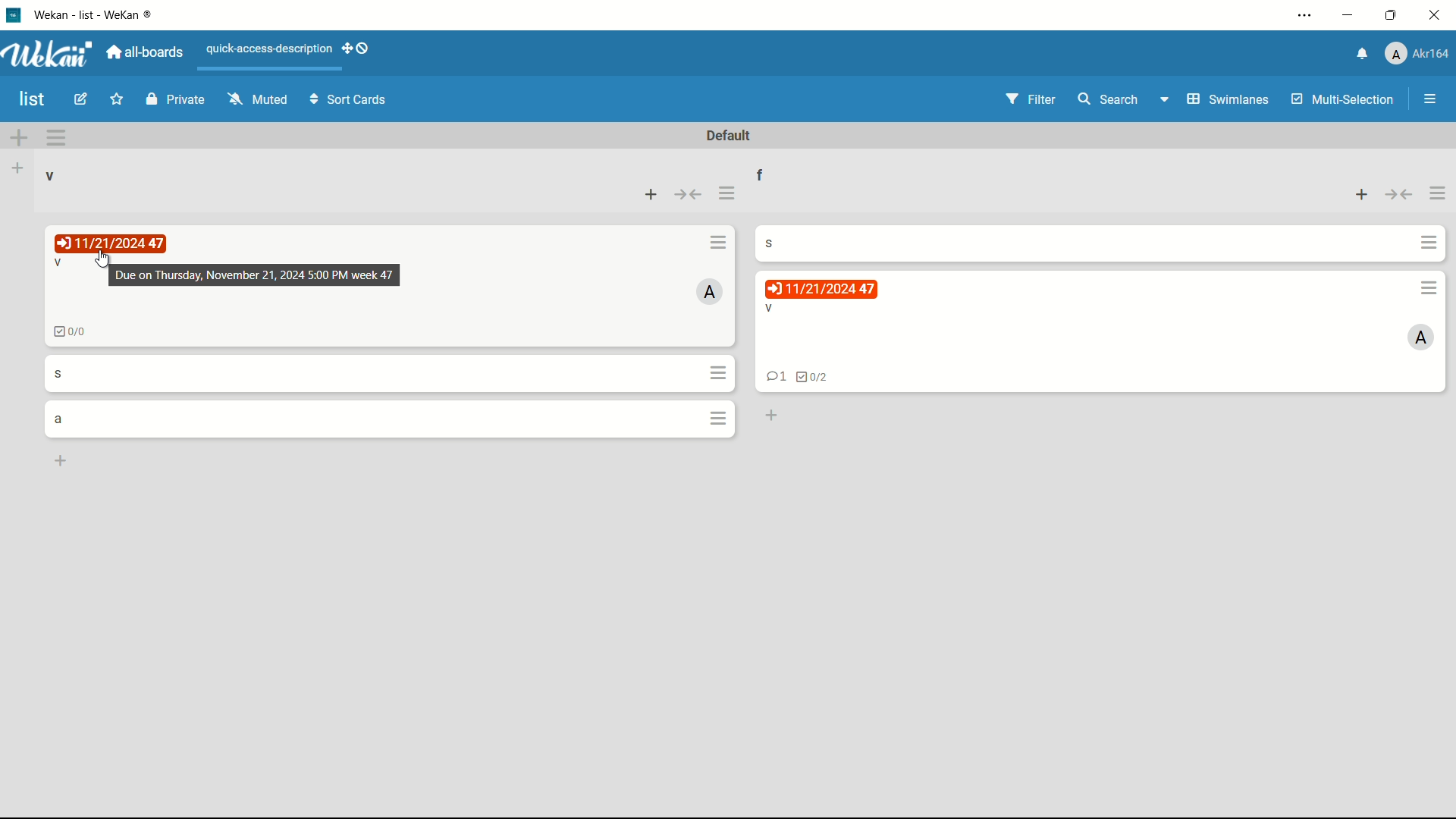  What do you see at coordinates (1399, 196) in the screenshot?
I see `collapse` at bounding box center [1399, 196].